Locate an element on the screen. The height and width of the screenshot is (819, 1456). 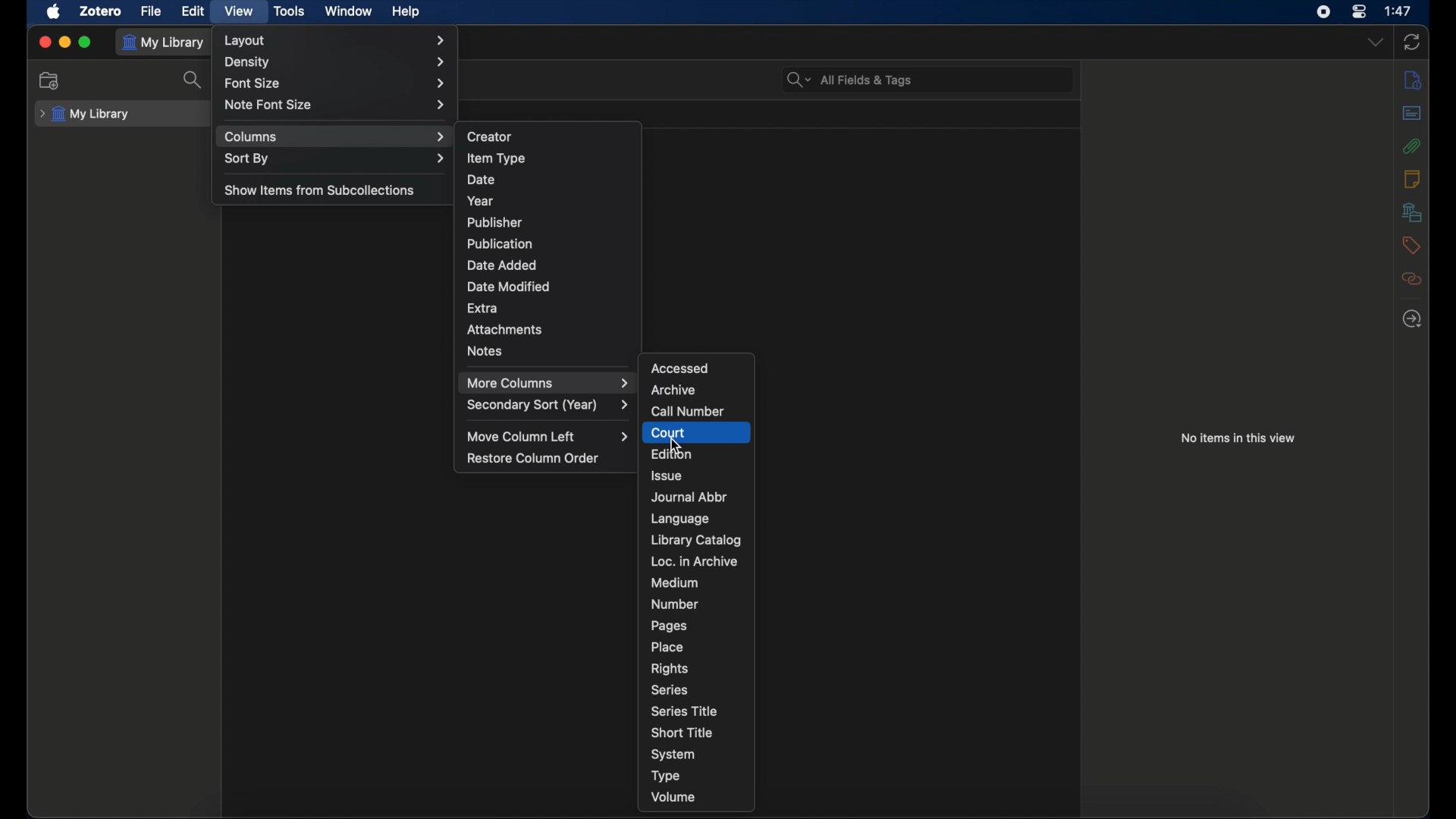
notes is located at coordinates (485, 351).